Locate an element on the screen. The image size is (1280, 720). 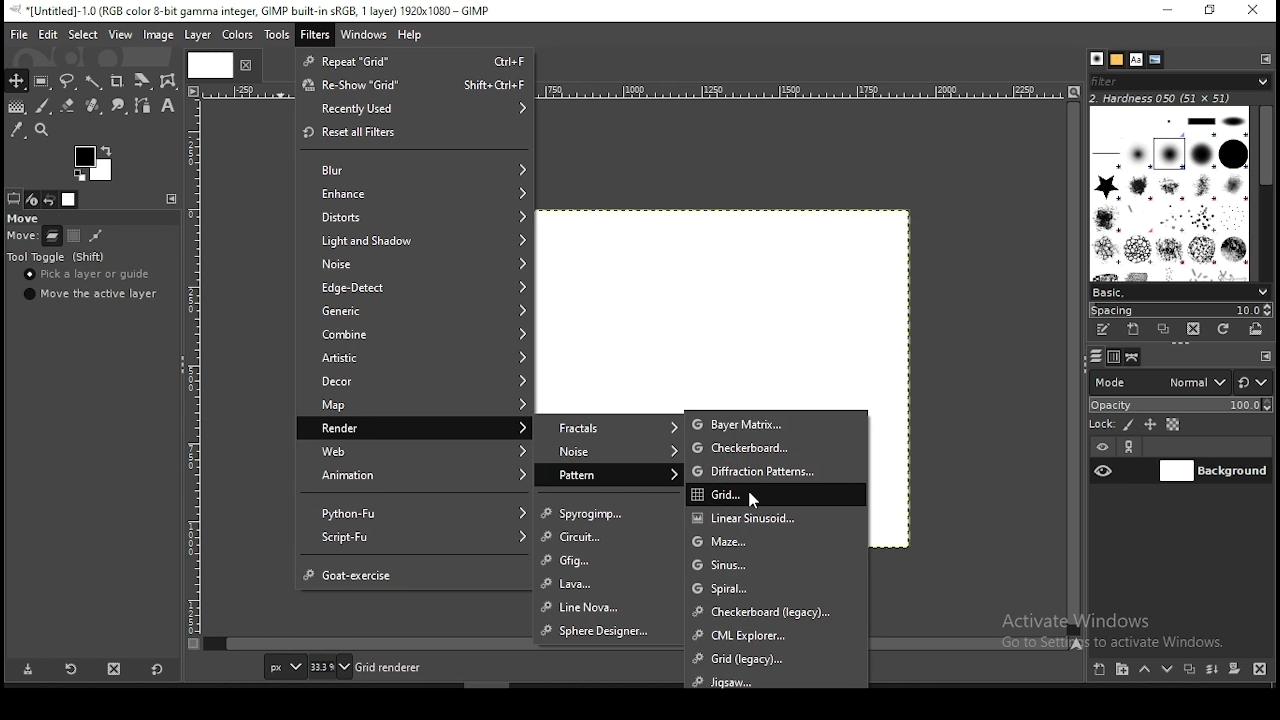
checkboard is located at coordinates (777, 449).